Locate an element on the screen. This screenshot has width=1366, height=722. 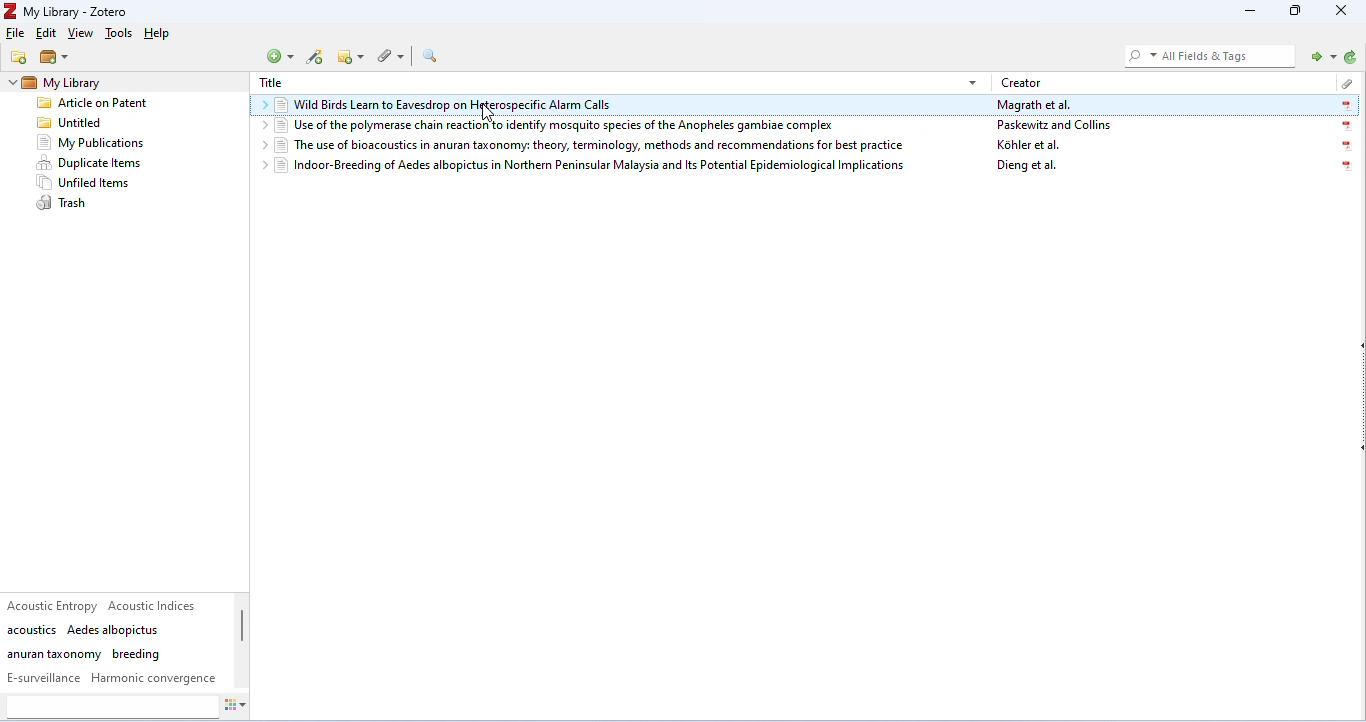
anuran taxonomy Dreeding is located at coordinates (84, 654).